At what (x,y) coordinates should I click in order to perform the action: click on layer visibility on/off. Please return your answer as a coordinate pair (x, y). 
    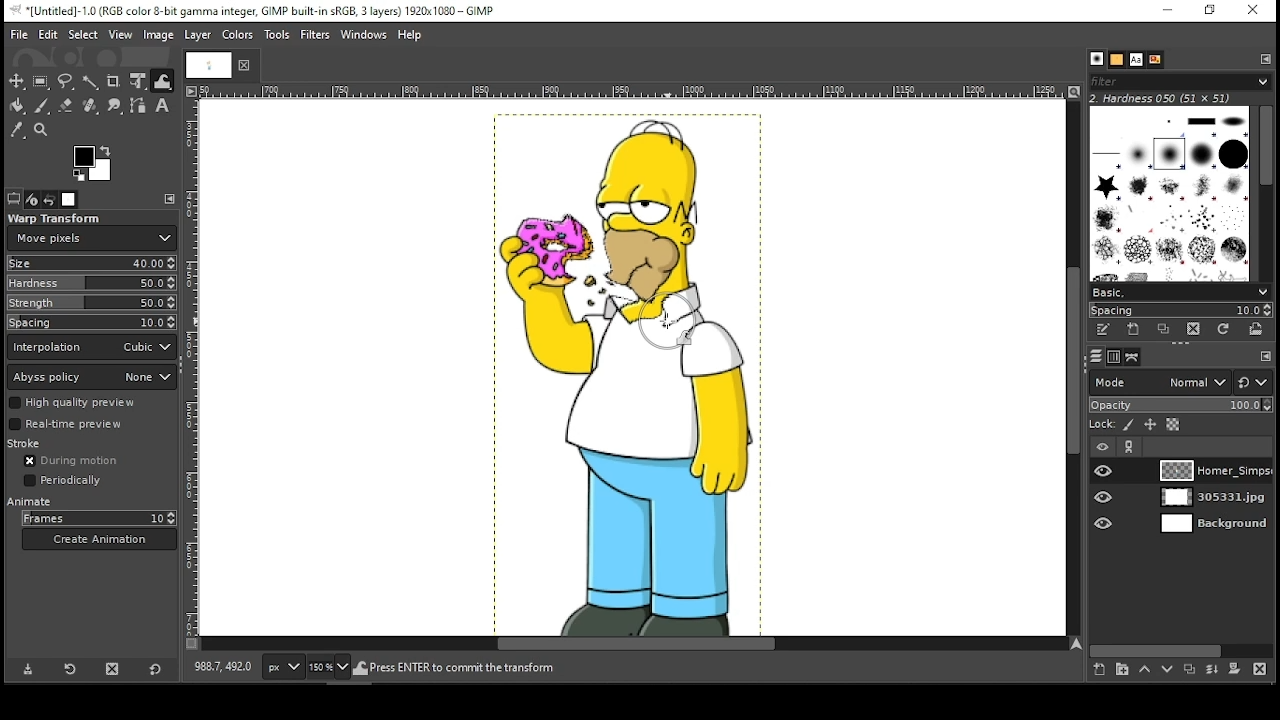
    Looking at the image, I should click on (1103, 470).